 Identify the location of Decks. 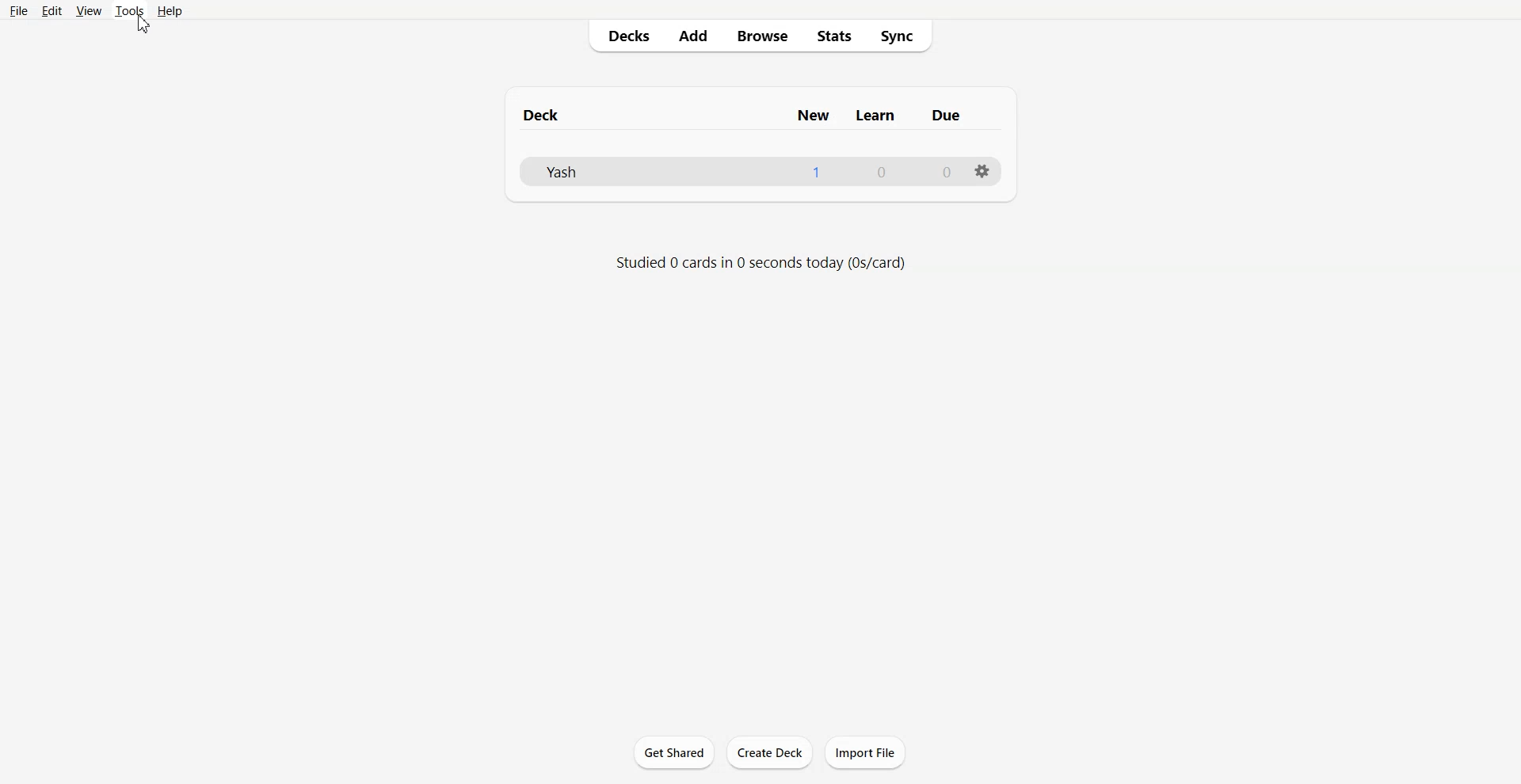
(623, 36).